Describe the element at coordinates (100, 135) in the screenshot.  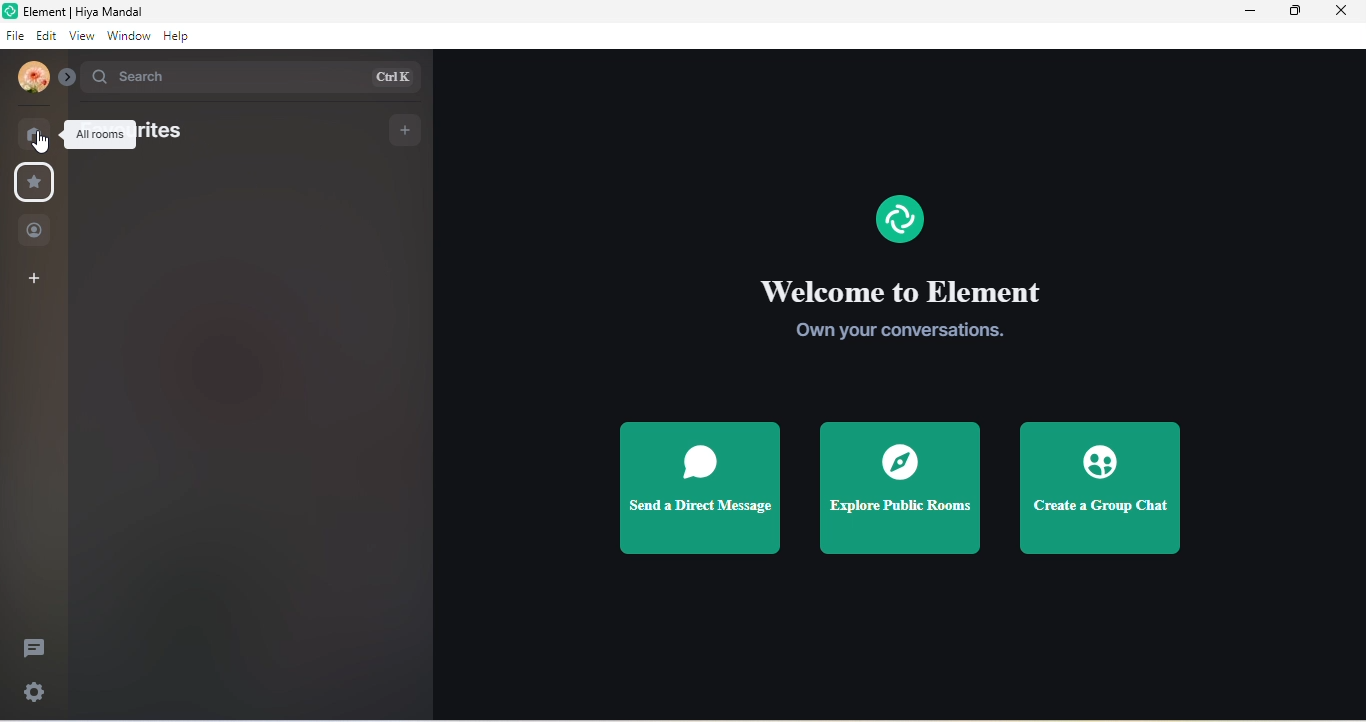
I see `All rooms` at that location.